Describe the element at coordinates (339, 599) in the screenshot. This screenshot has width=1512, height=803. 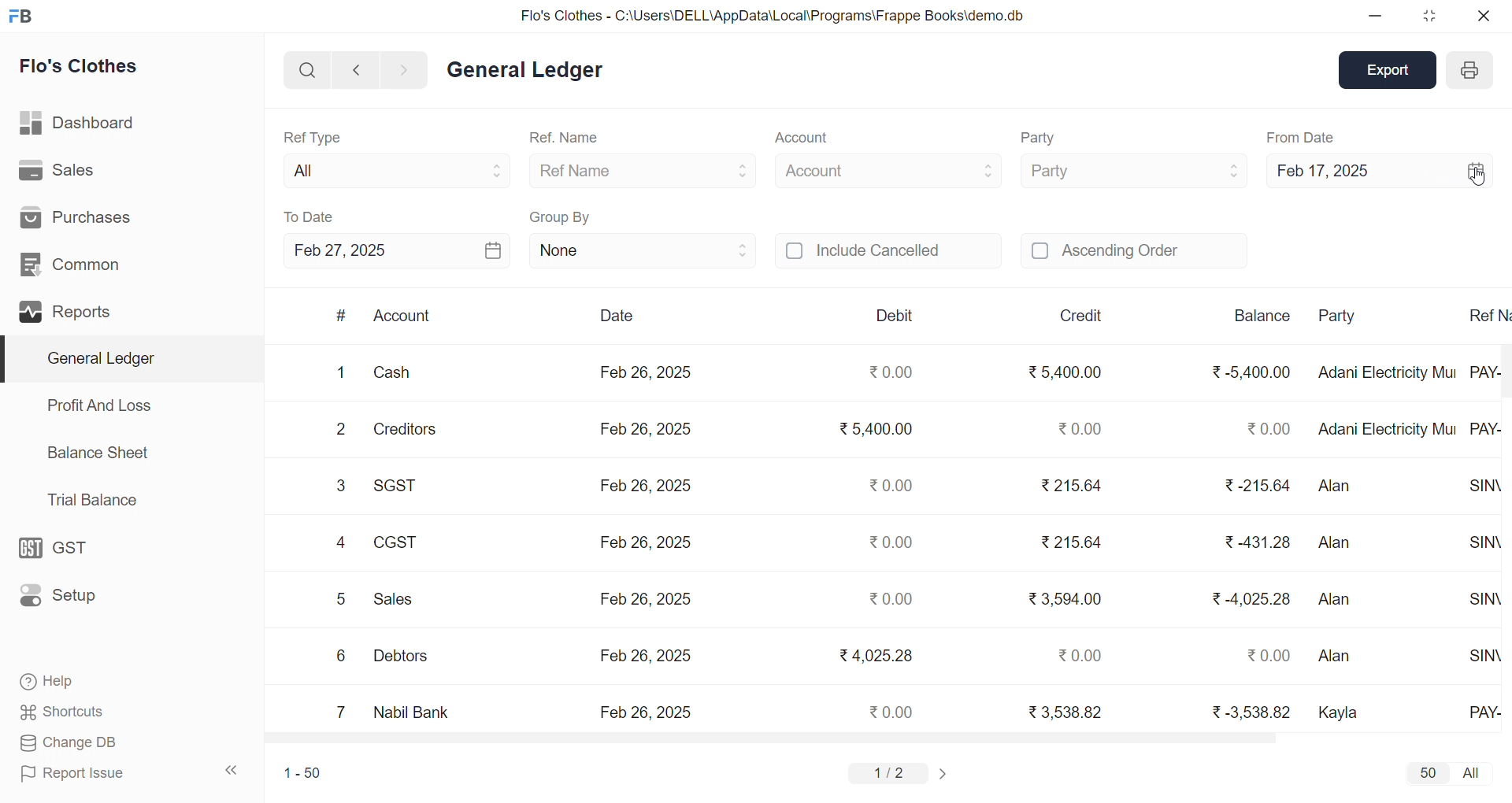
I see `5` at that location.